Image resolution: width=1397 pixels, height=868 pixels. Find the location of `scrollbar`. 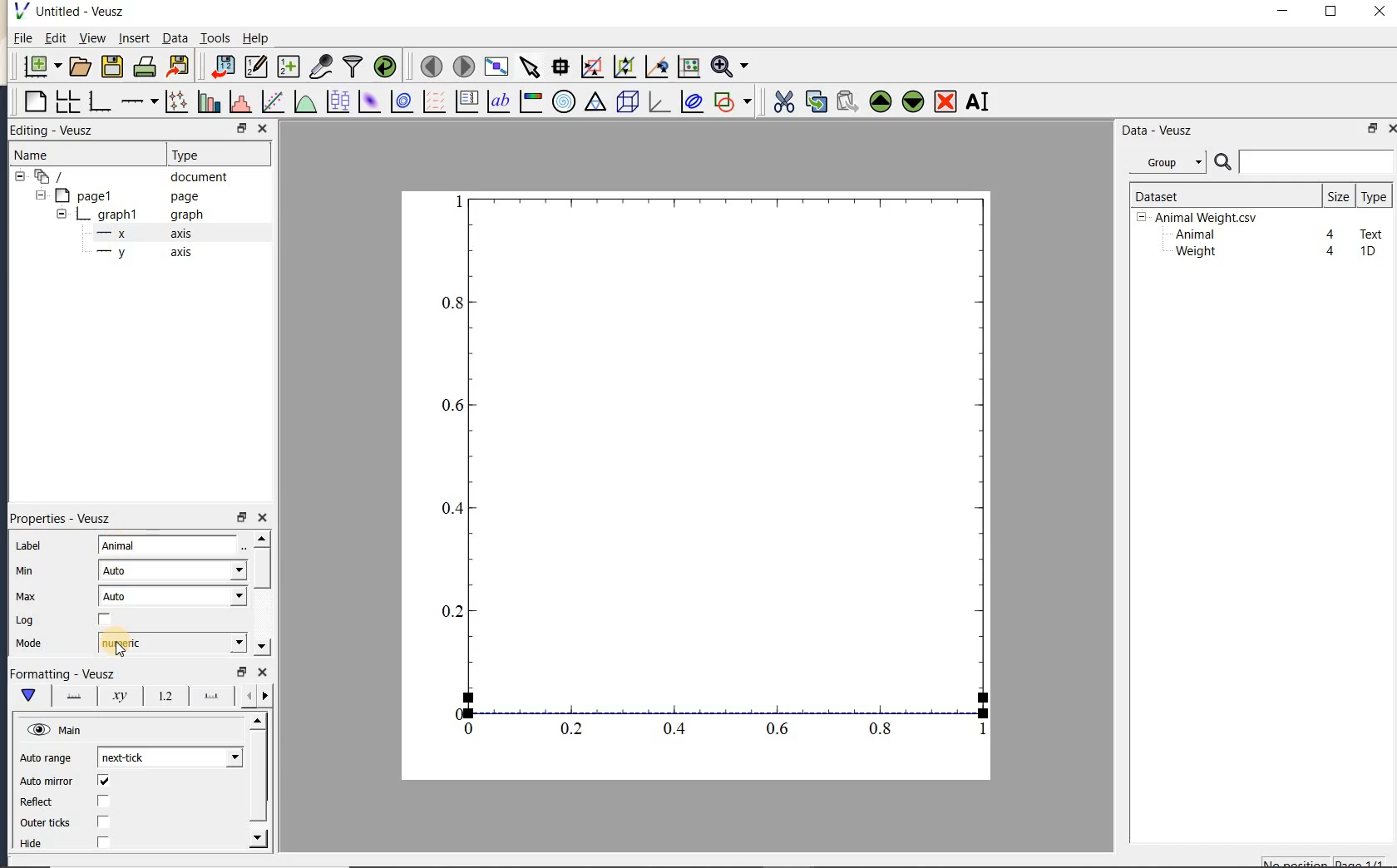

scrollbar is located at coordinates (259, 781).